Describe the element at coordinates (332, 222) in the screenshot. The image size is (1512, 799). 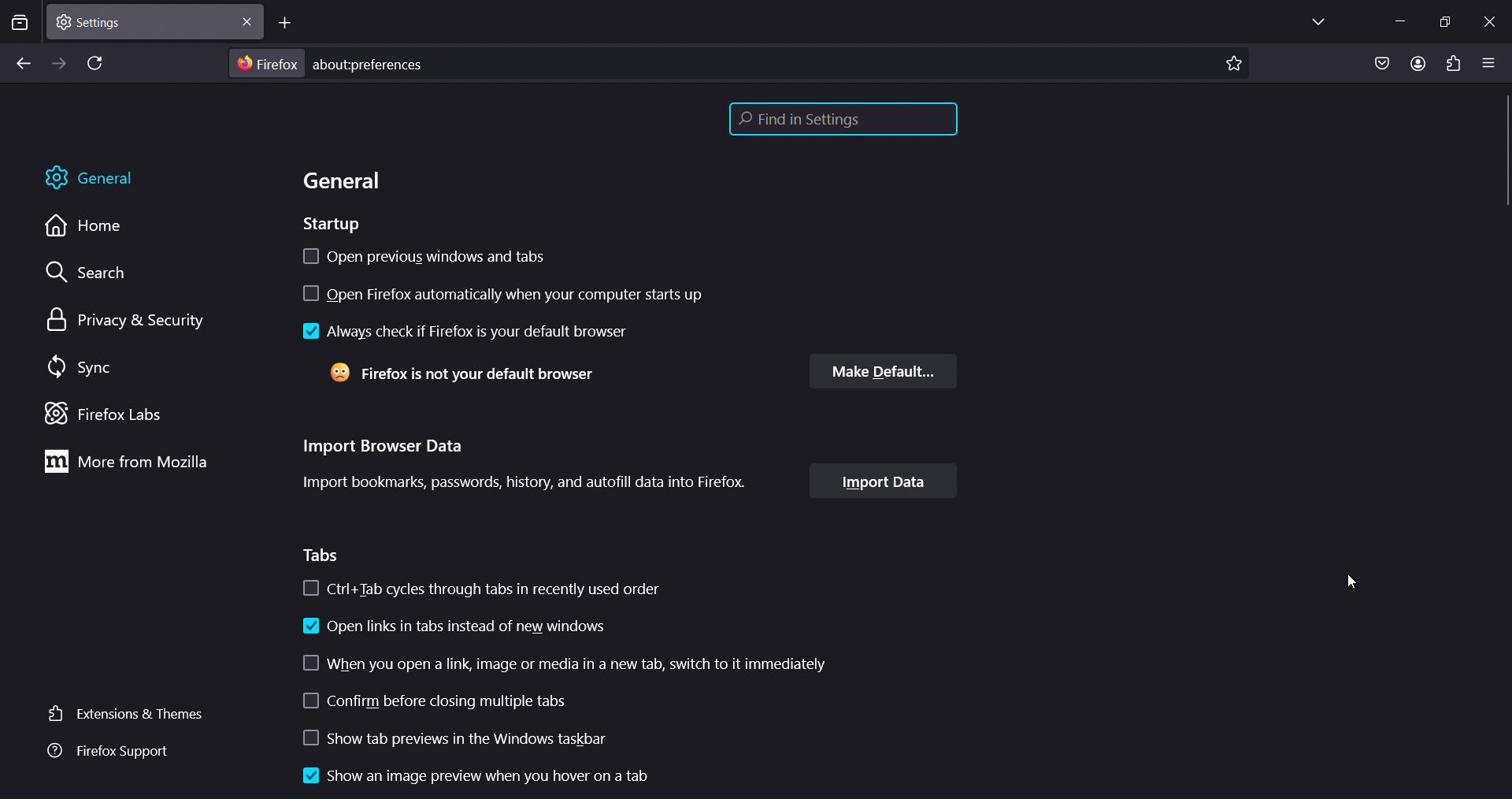
I see `startup` at that location.